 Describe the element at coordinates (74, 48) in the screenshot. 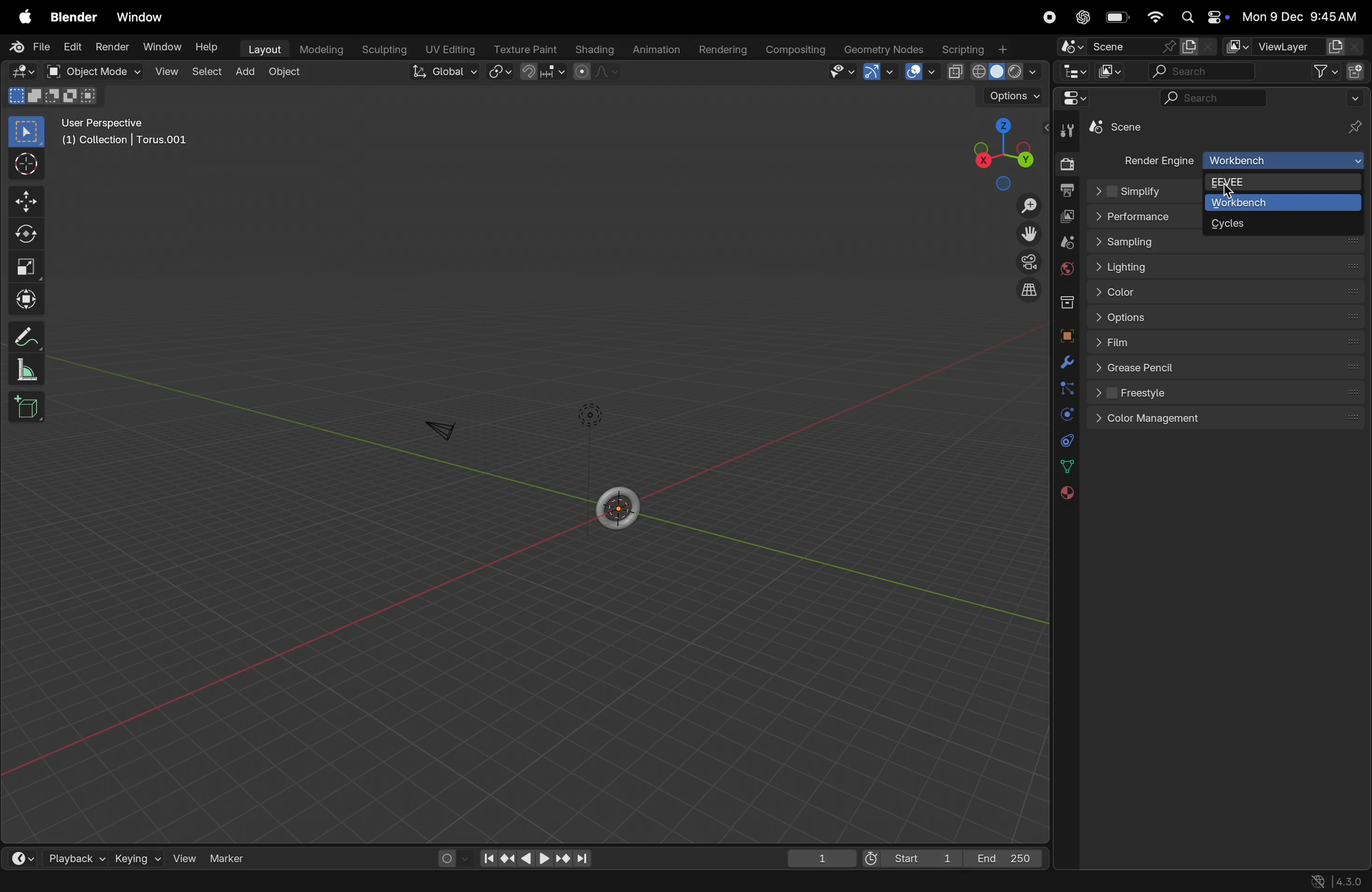

I see `edit` at that location.